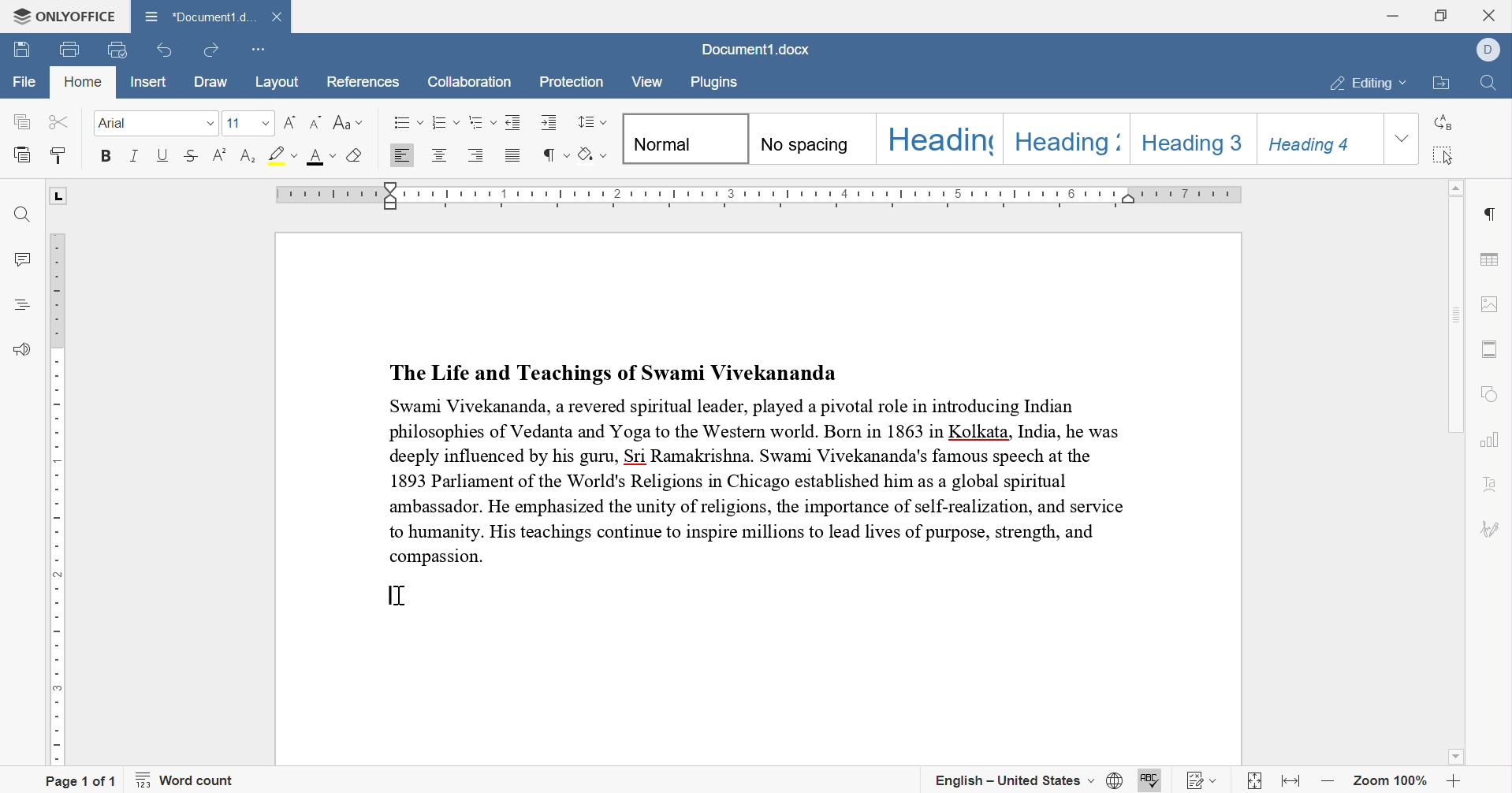  Describe the element at coordinates (58, 155) in the screenshot. I see `copy style` at that location.